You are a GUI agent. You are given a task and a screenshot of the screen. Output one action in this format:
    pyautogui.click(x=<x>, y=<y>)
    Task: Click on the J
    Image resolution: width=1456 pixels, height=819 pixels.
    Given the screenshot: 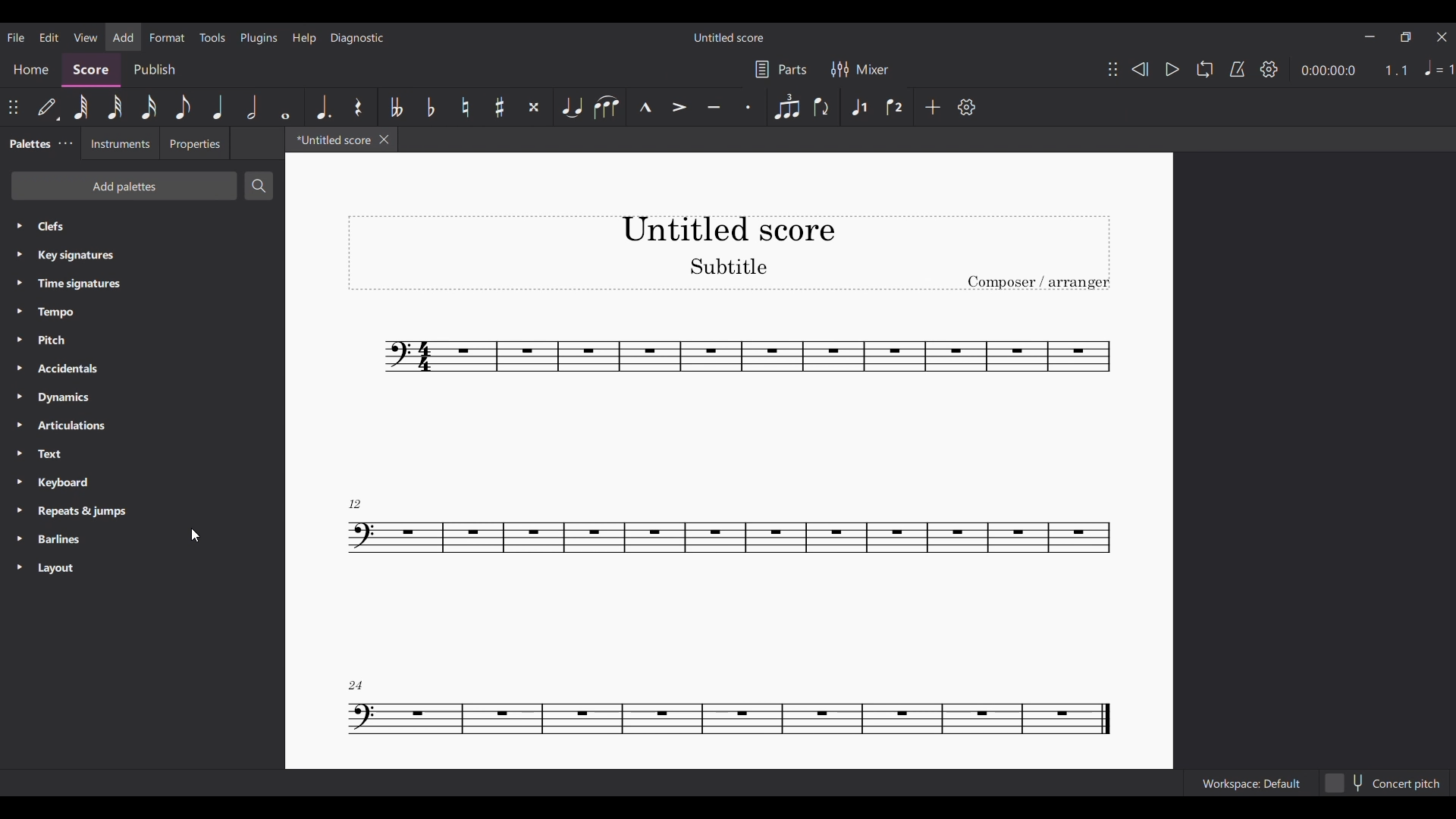 What is the action you would take?
    pyautogui.click(x=251, y=104)
    